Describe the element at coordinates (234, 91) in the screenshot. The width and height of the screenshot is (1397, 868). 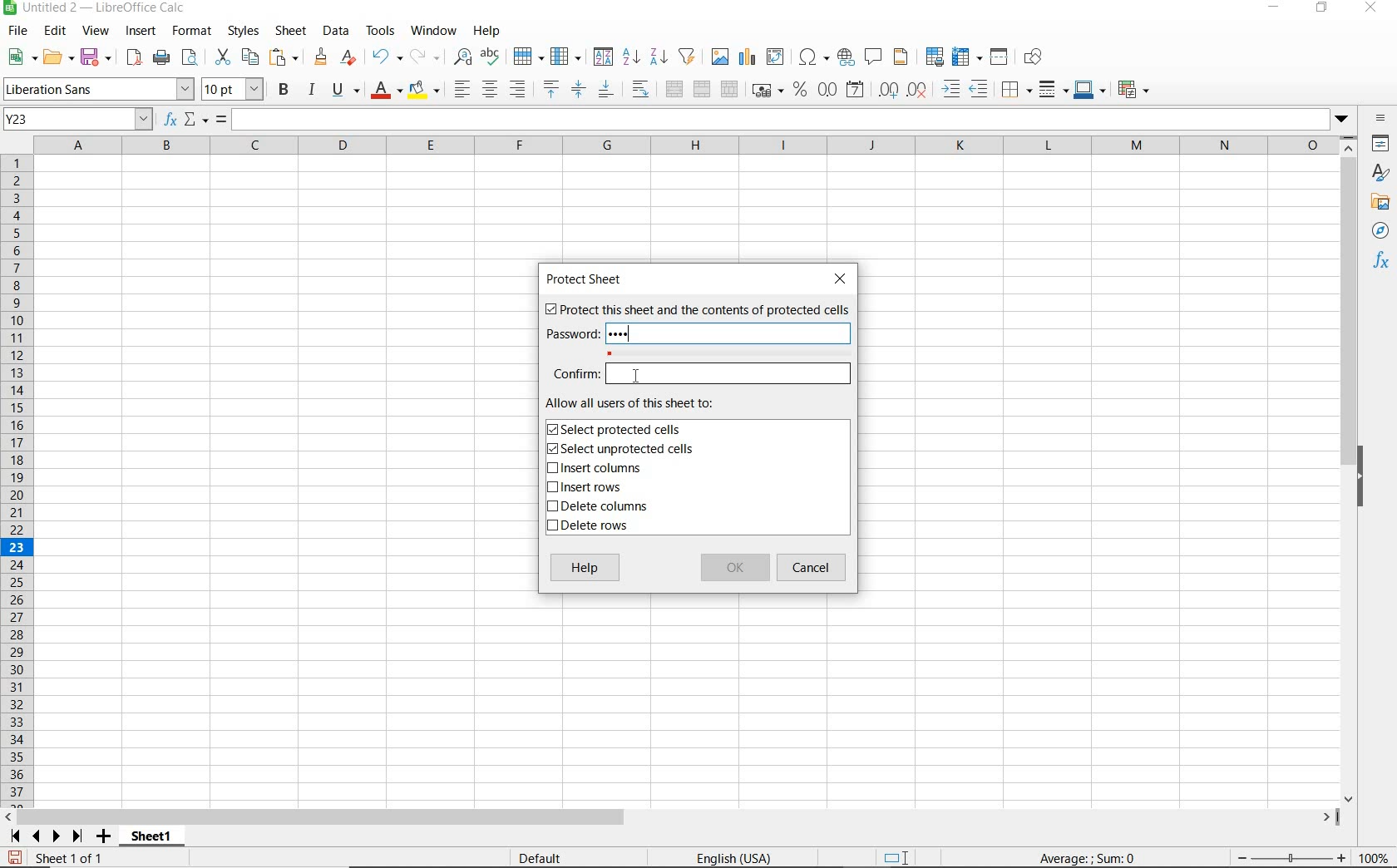
I see `FONT SIZE` at that location.